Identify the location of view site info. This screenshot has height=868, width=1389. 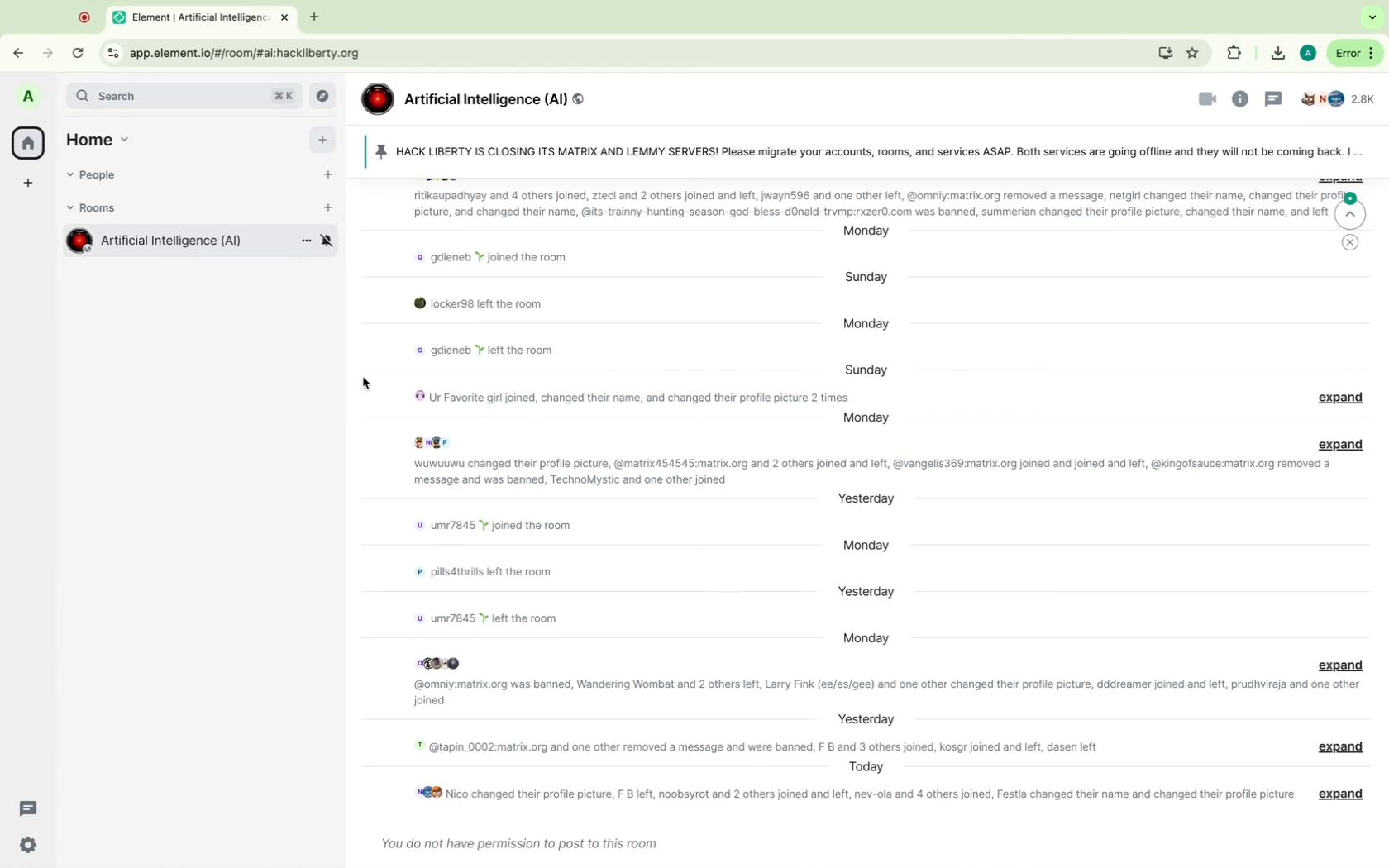
(110, 51).